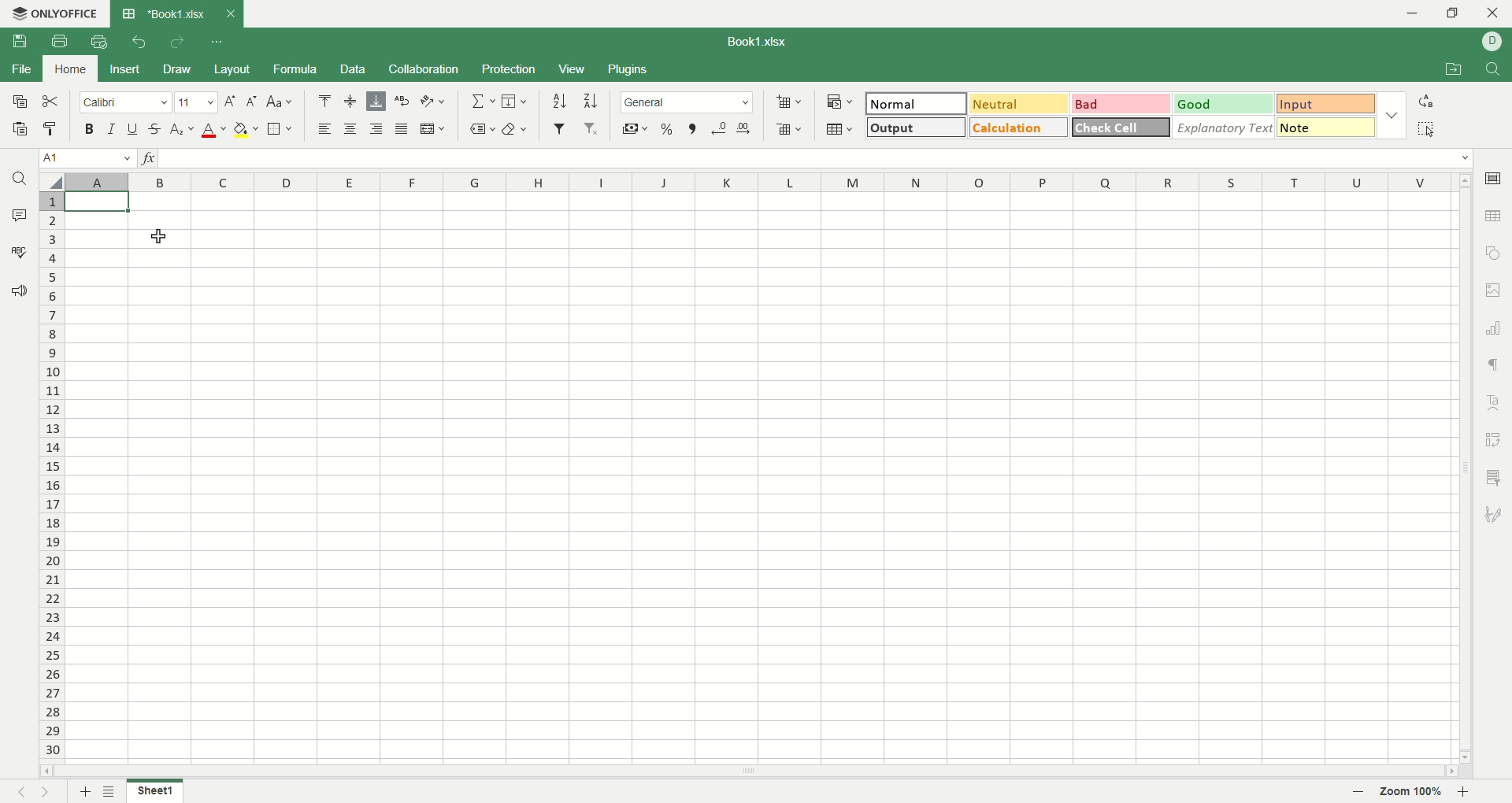 Image resolution: width=1512 pixels, height=803 pixels. I want to click on align bottom, so click(375, 101).